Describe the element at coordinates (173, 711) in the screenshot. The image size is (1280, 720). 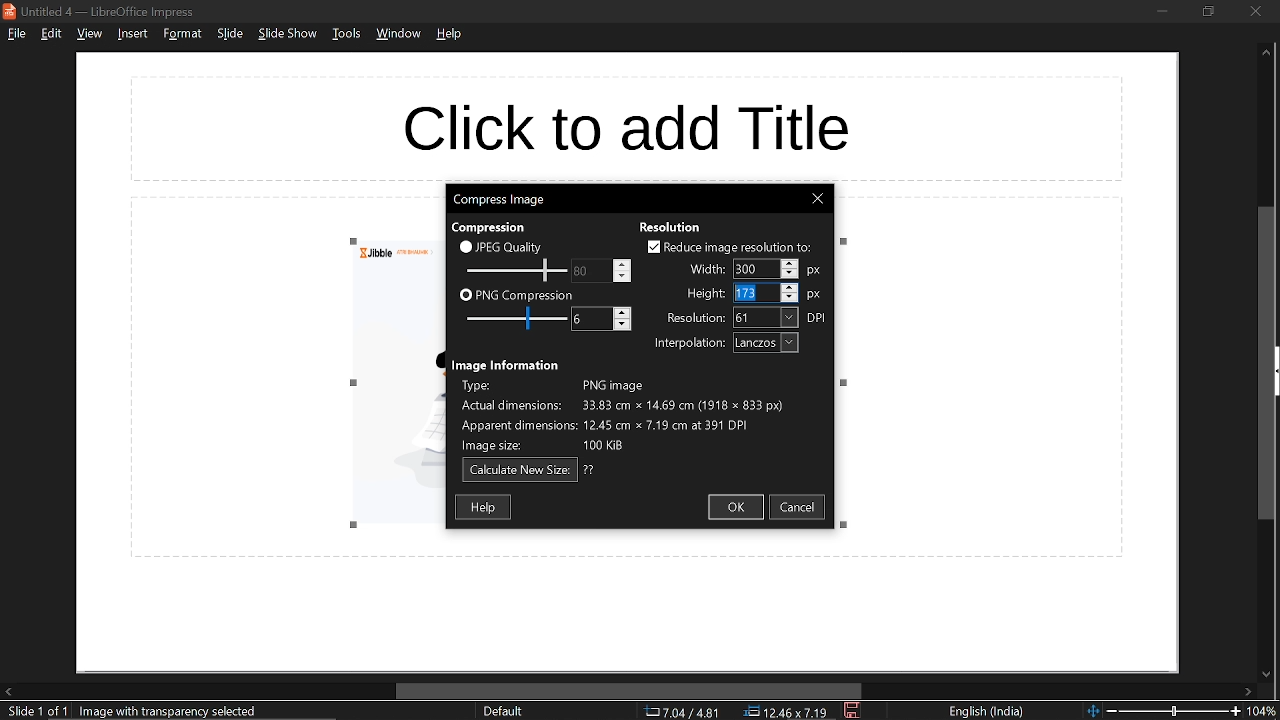
I see `selected image` at that location.